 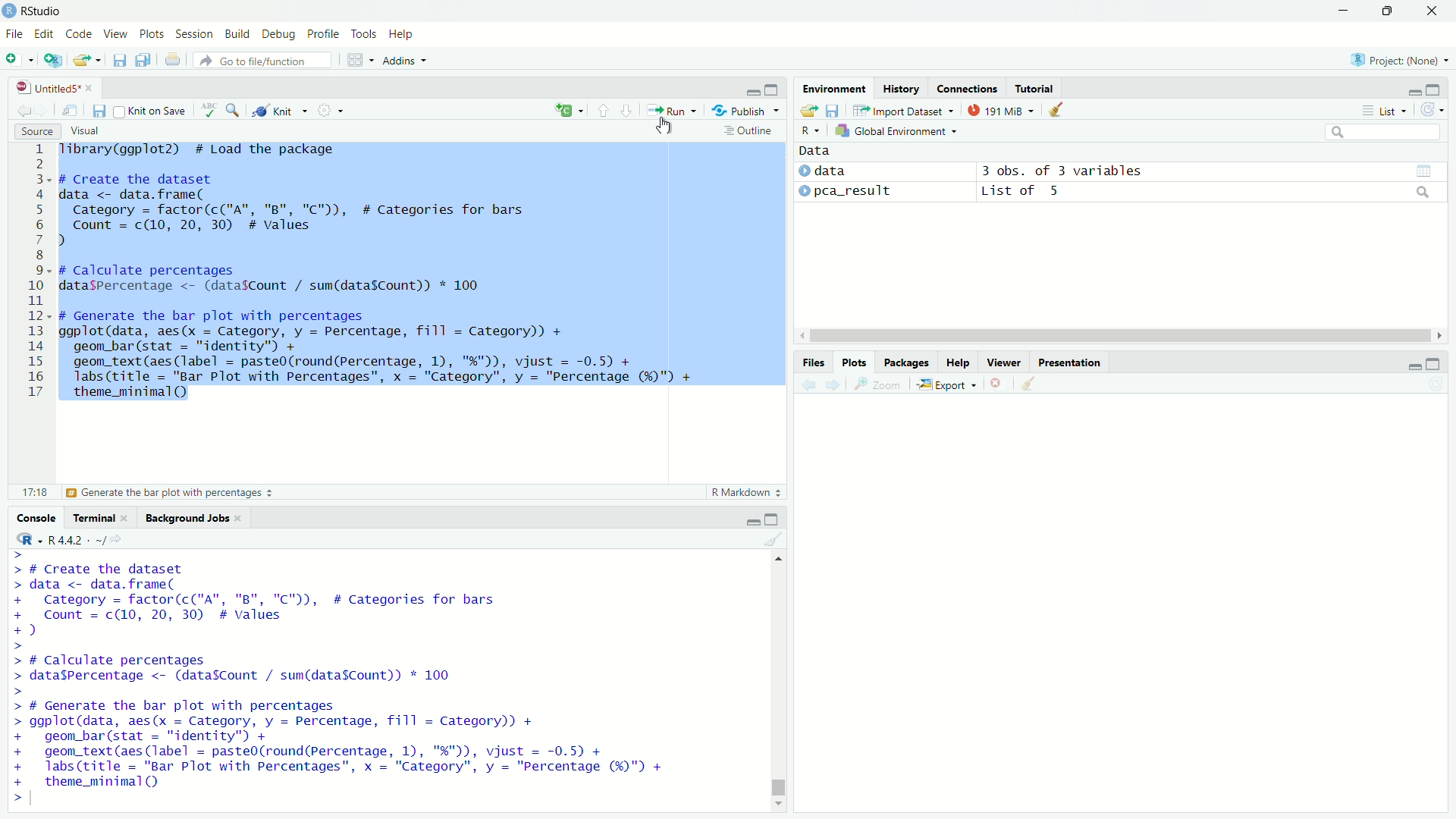 I want to click on background jobs, so click(x=192, y=518).